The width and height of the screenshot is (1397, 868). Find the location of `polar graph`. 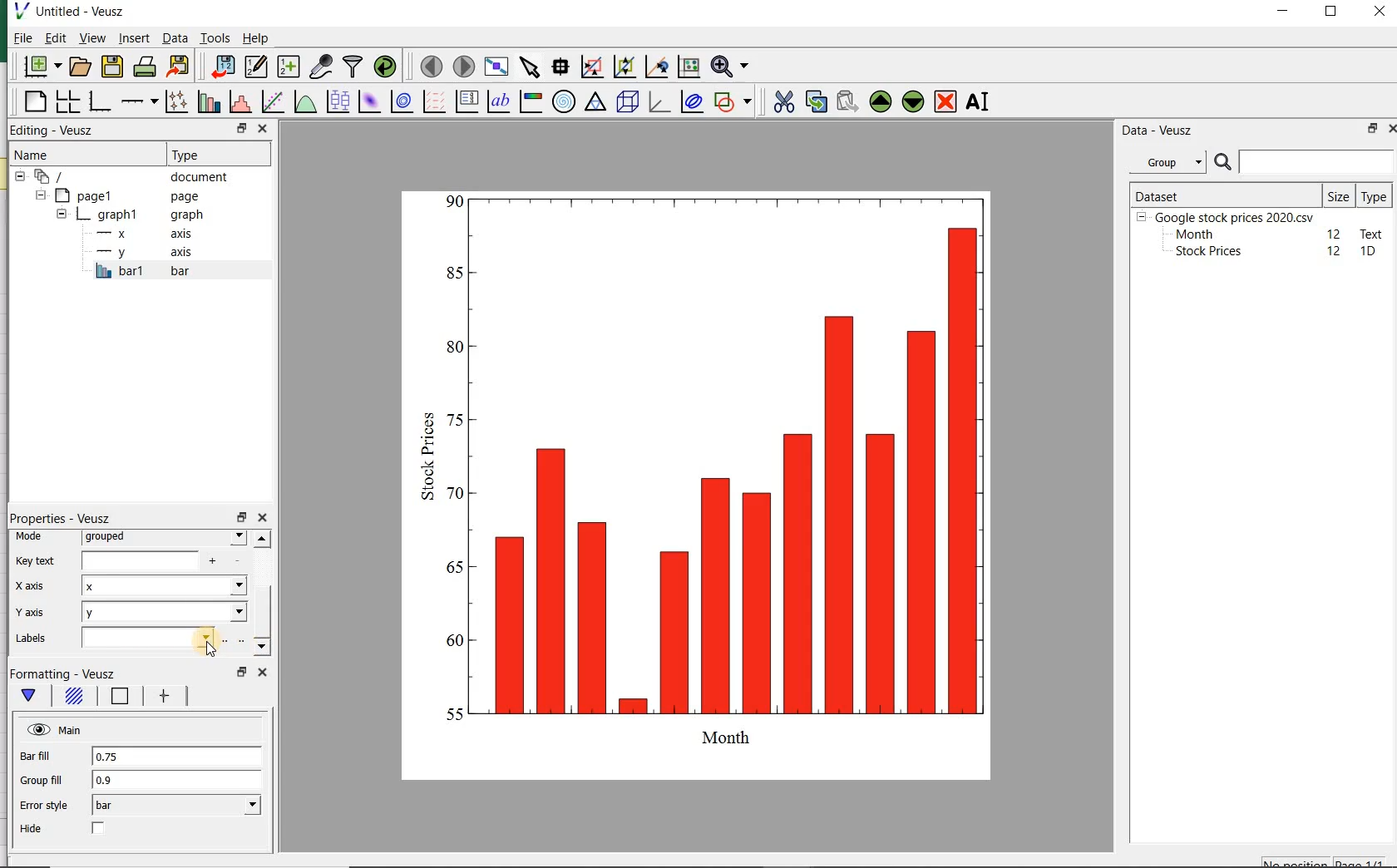

polar graph is located at coordinates (563, 101).